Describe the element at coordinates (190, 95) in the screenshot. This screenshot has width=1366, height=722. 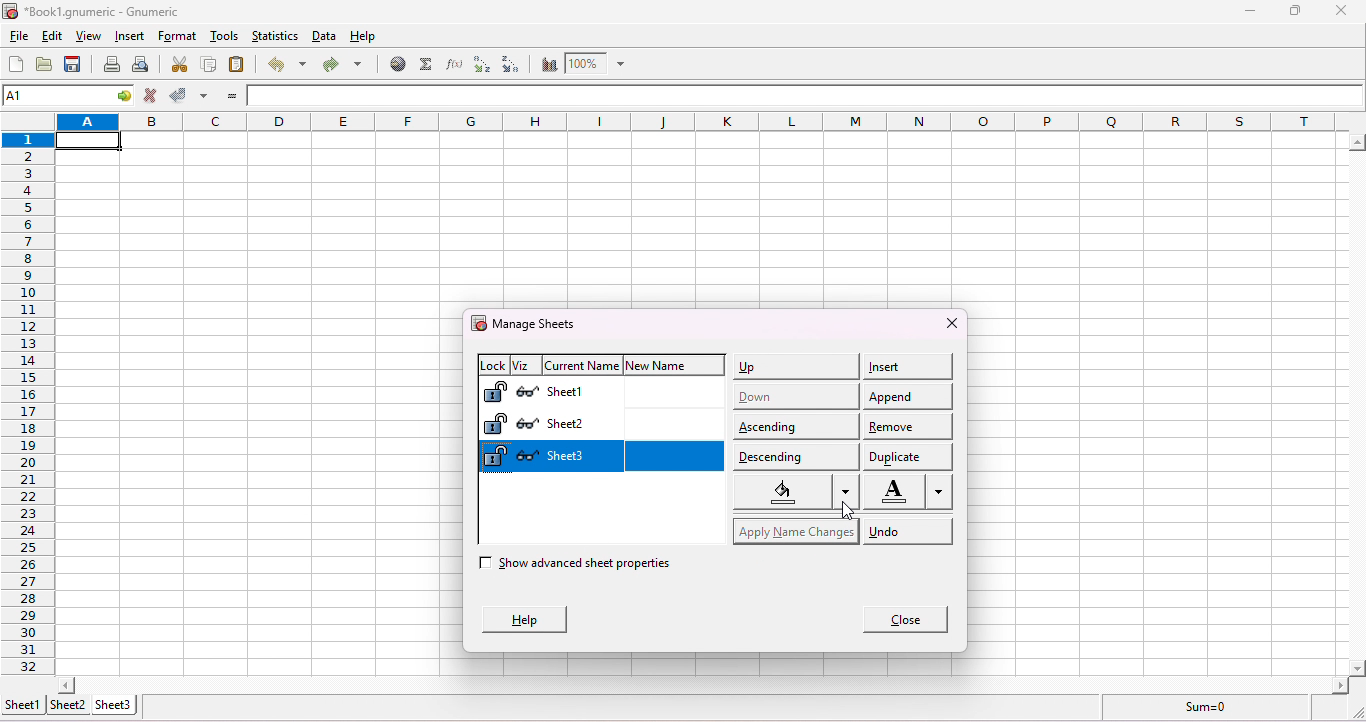
I see `accept change` at that location.